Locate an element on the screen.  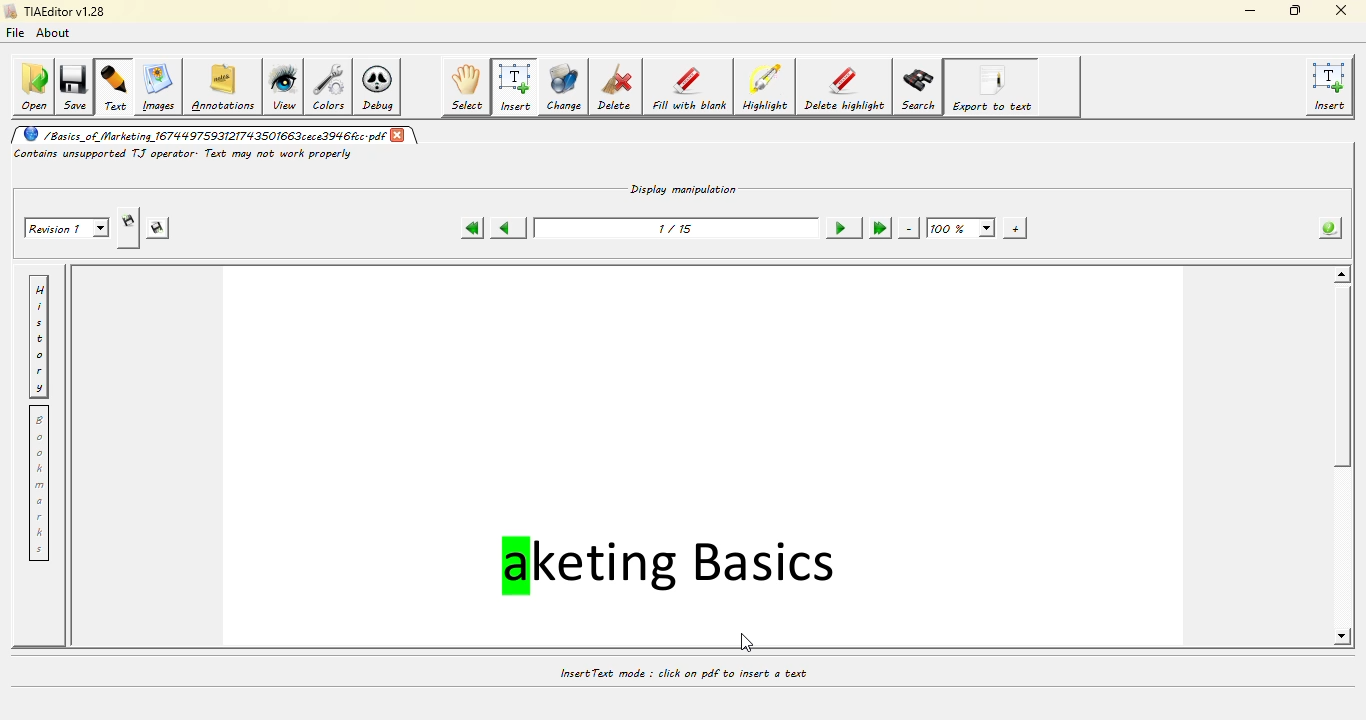
scroll up is located at coordinates (1340, 274).